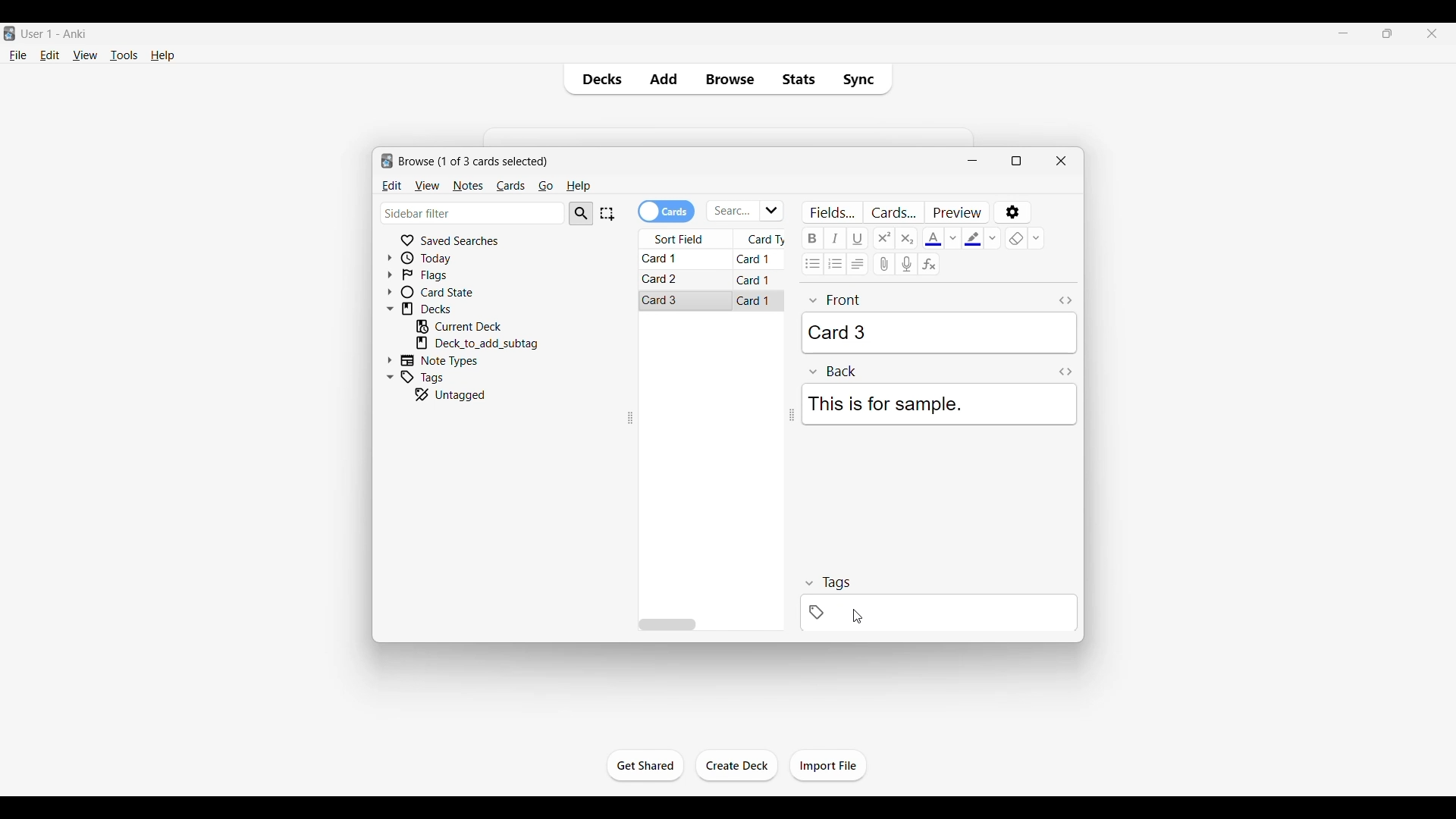 The image size is (1456, 819). I want to click on Click to go to Today, so click(449, 258).